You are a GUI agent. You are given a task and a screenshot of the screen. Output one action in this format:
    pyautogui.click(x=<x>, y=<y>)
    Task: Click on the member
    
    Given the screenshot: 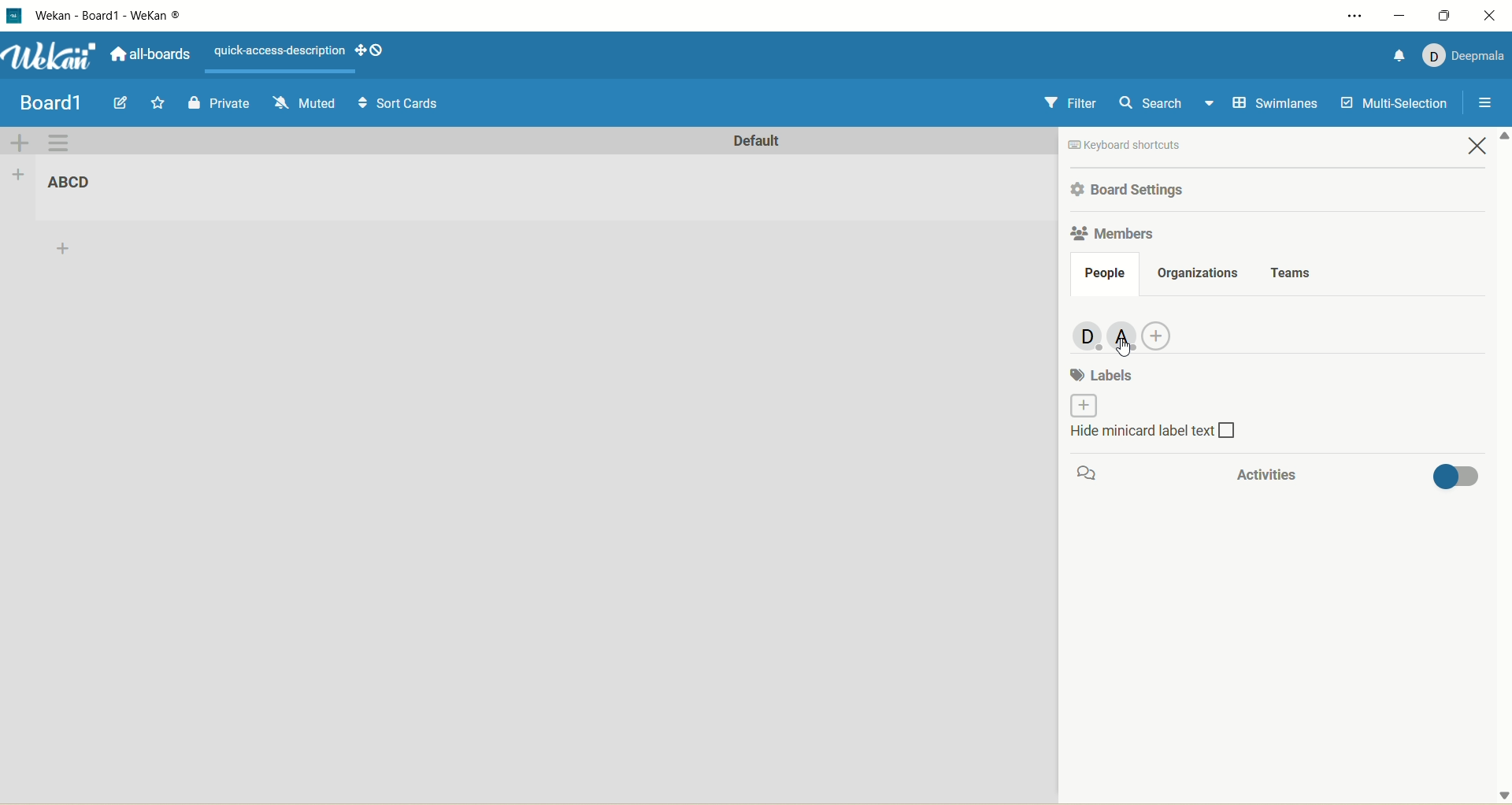 What is the action you would take?
    pyautogui.click(x=1123, y=333)
    